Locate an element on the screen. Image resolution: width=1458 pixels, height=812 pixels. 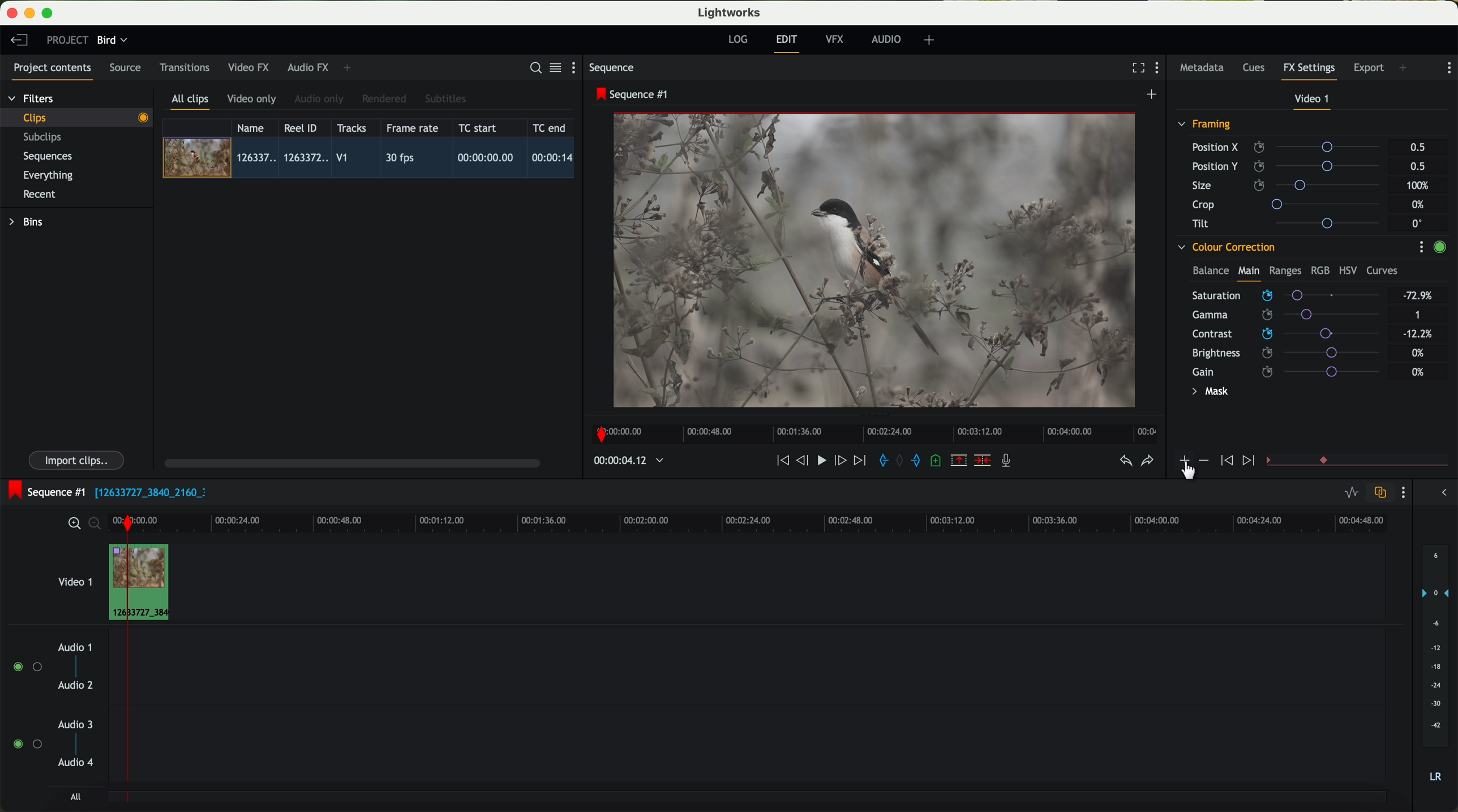
zoom out is located at coordinates (96, 525).